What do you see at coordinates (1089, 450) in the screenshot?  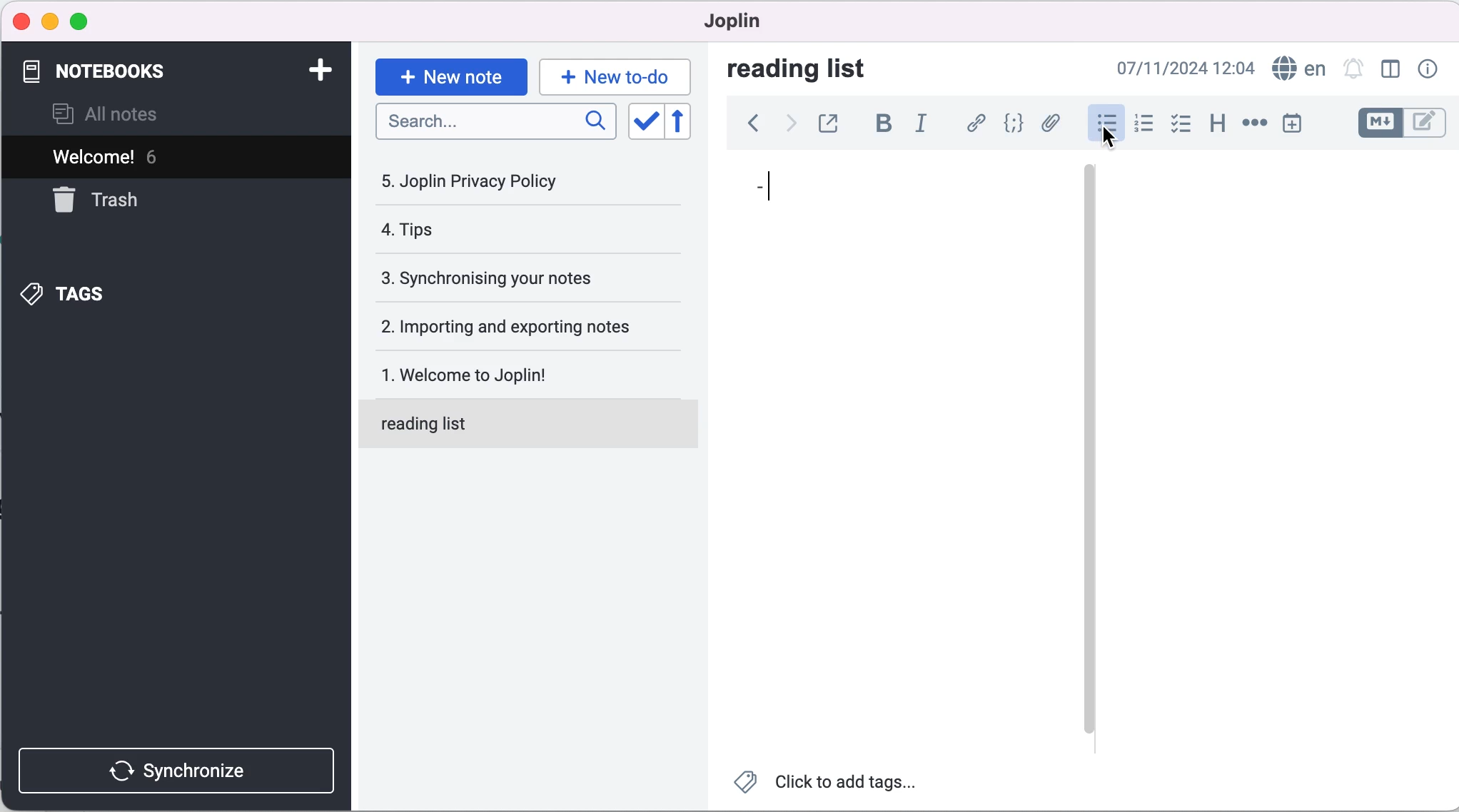 I see `vertical slider` at bounding box center [1089, 450].